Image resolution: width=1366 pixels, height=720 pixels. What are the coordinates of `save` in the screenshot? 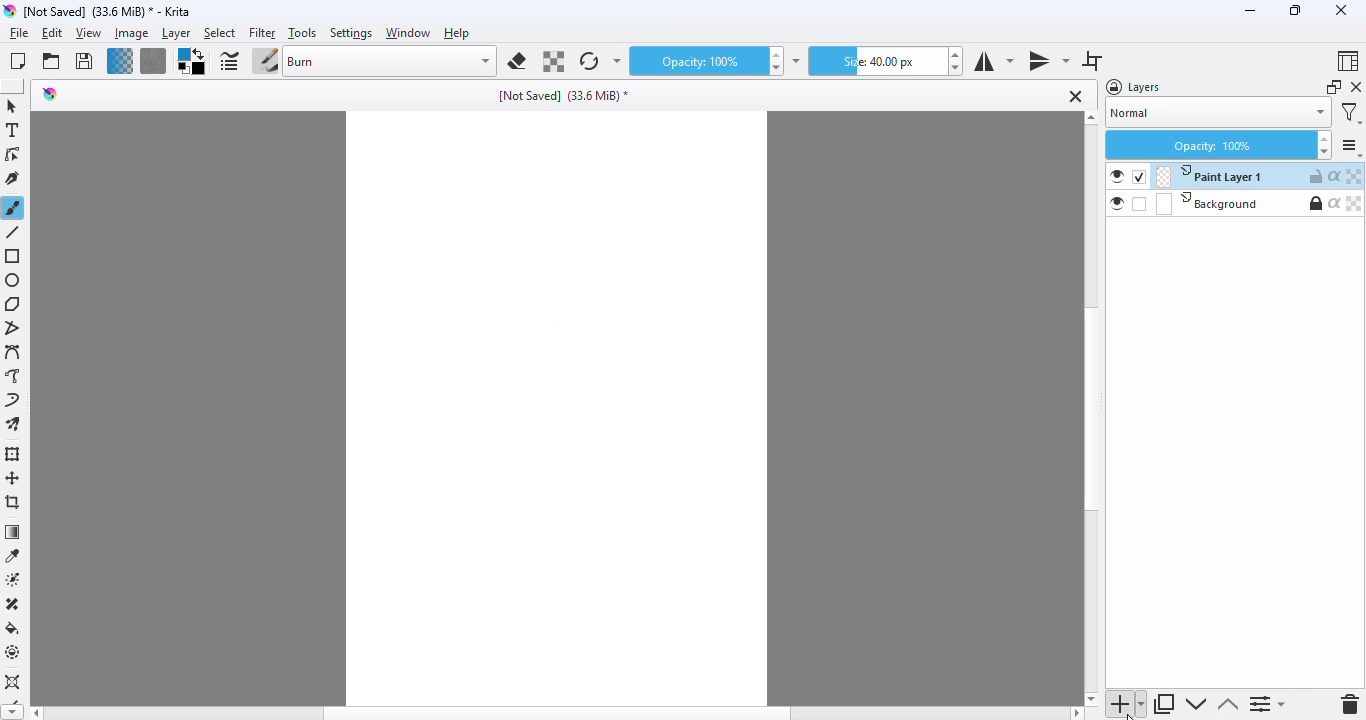 It's located at (84, 61).